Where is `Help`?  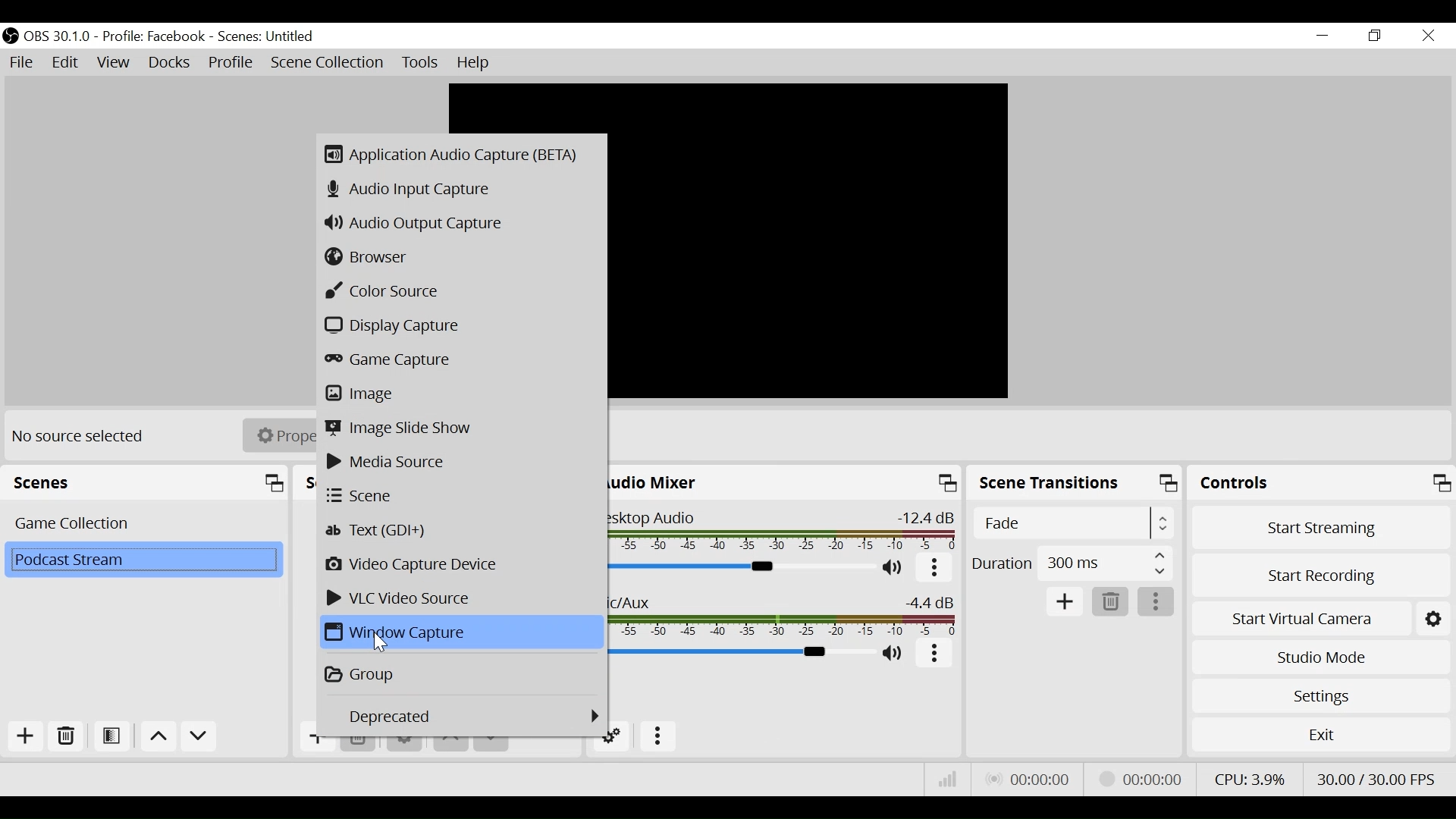 Help is located at coordinates (476, 64).